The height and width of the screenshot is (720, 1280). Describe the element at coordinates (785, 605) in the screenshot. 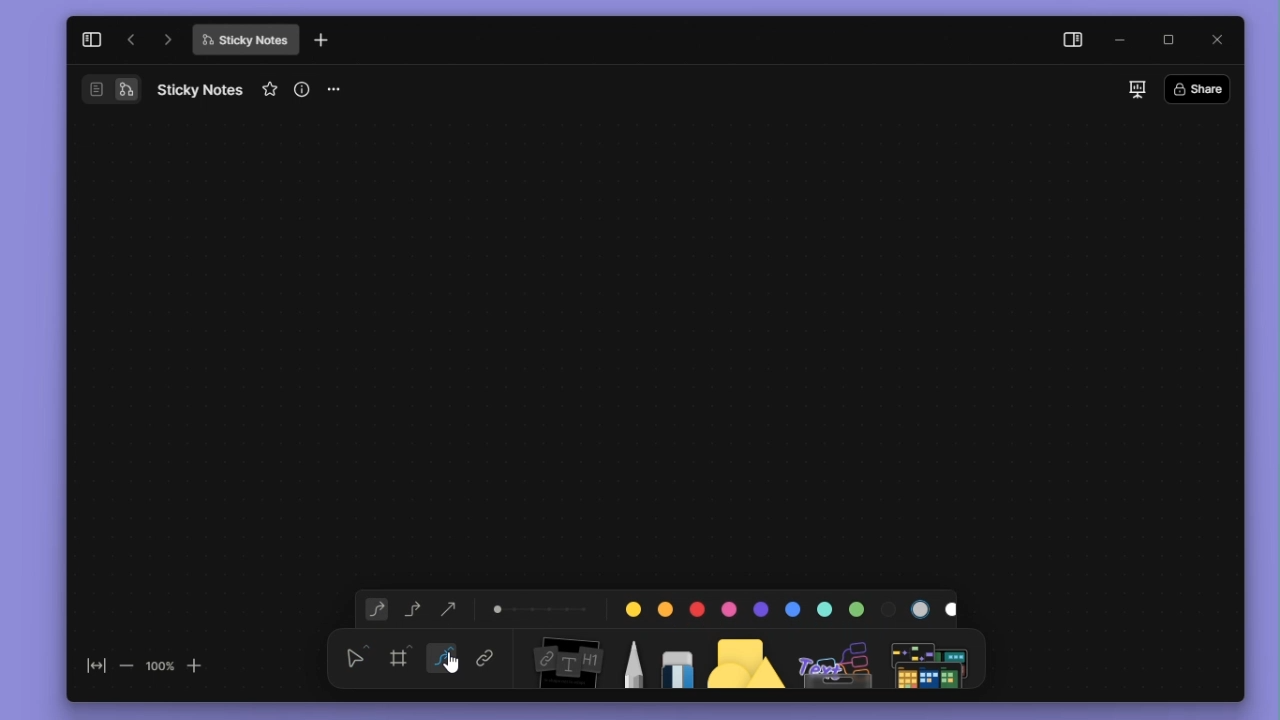

I see `color pallete` at that location.